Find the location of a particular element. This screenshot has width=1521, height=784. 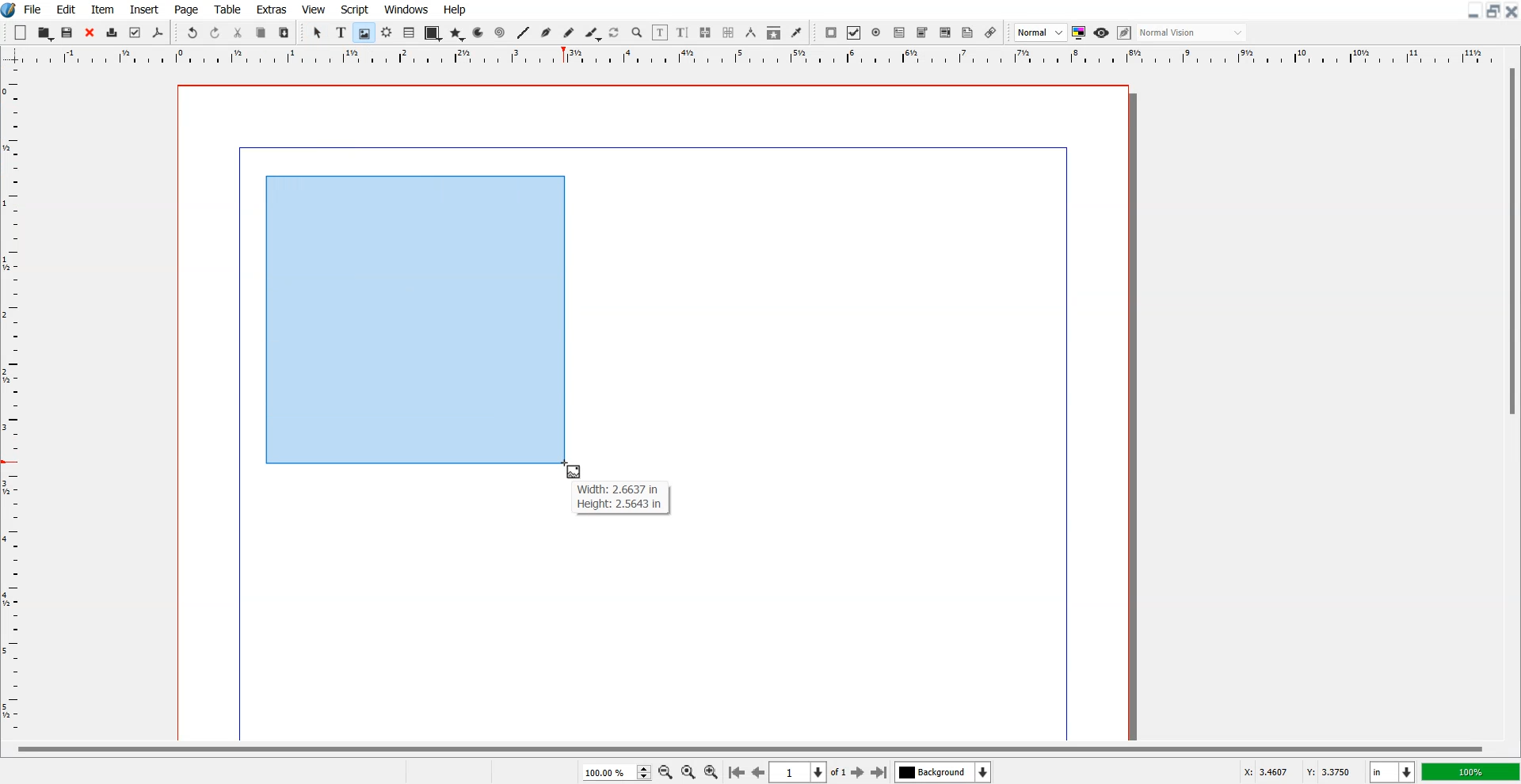

Text Frame is located at coordinates (341, 32).